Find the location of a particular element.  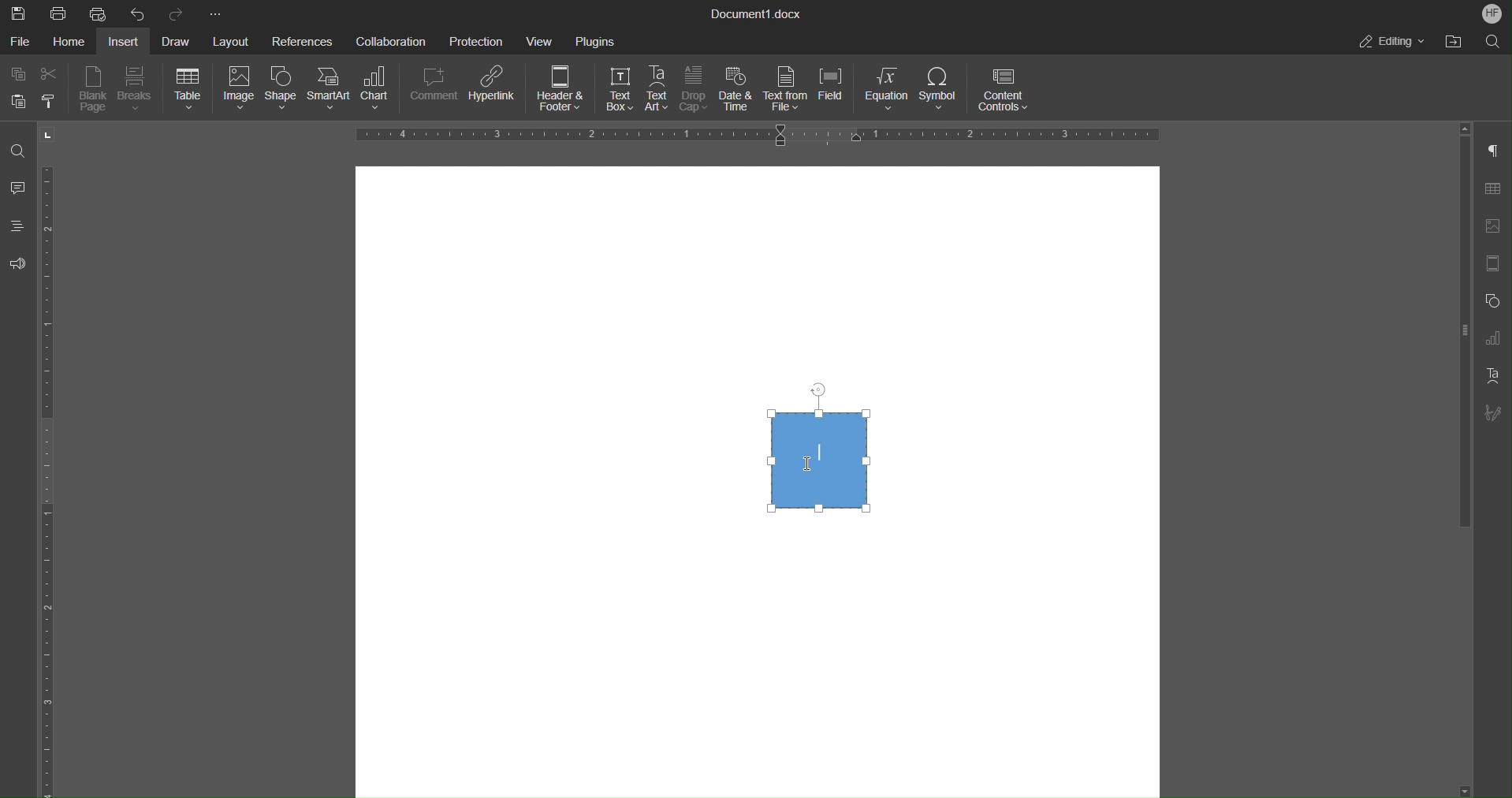

Content Controls is located at coordinates (1007, 91).